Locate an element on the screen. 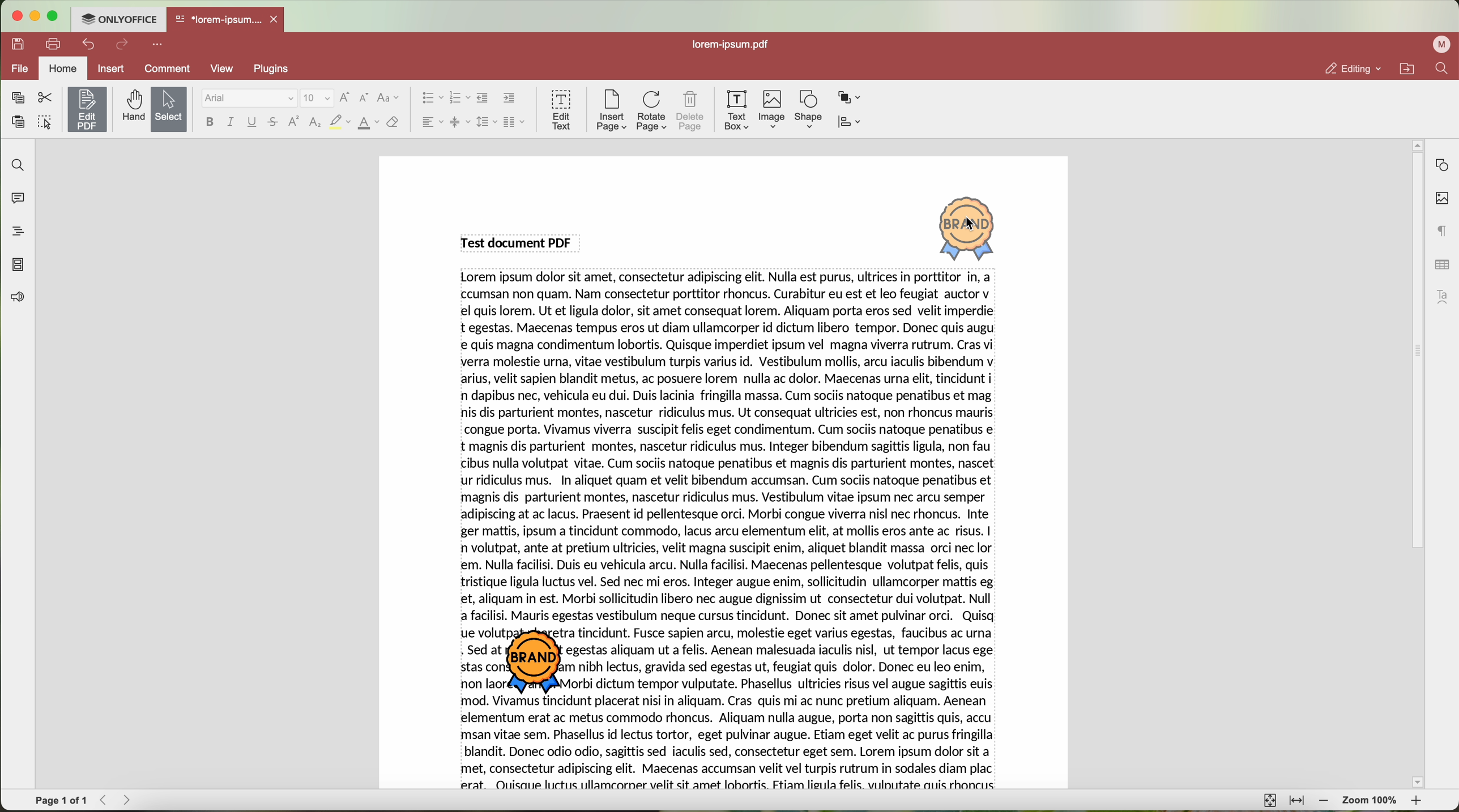 Image resolution: width=1459 pixels, height=812 pixels. highlight color is located at coordinates (339, 123).